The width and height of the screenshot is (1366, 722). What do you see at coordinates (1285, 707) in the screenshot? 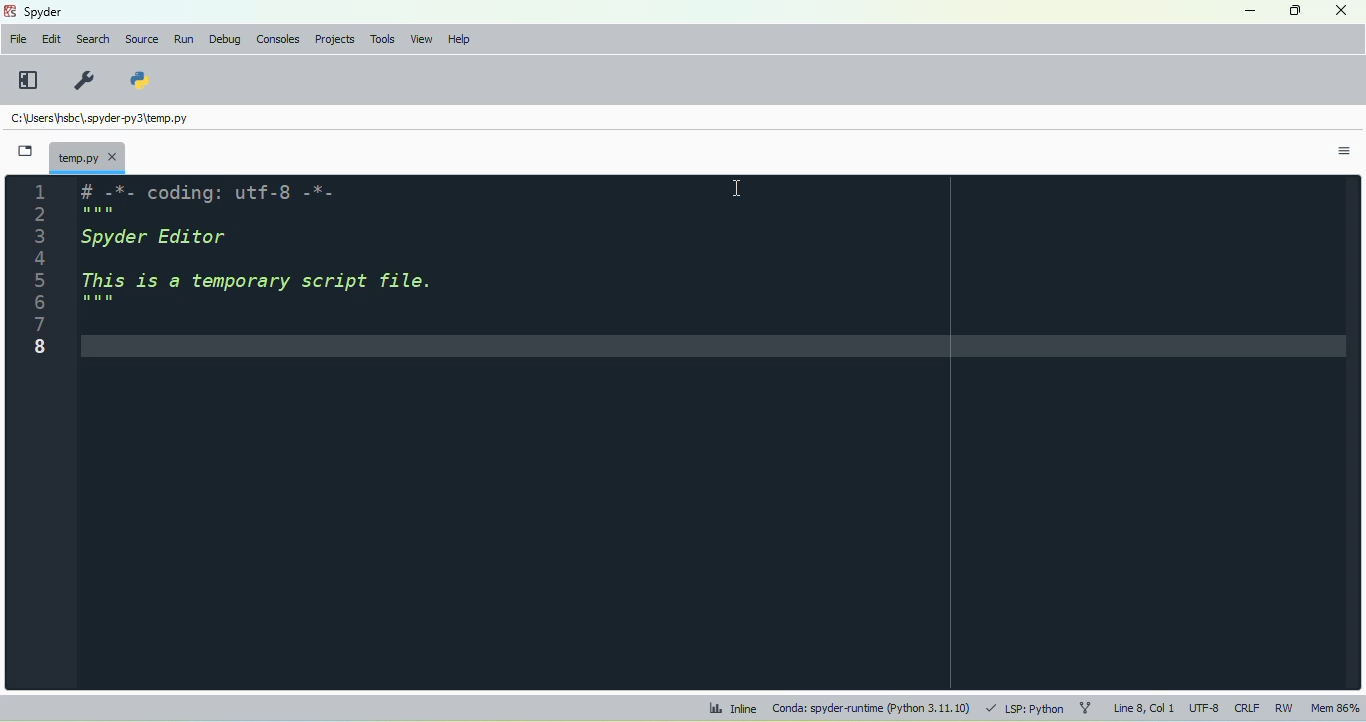
I see `RW` at bounding box center [1285, 707].